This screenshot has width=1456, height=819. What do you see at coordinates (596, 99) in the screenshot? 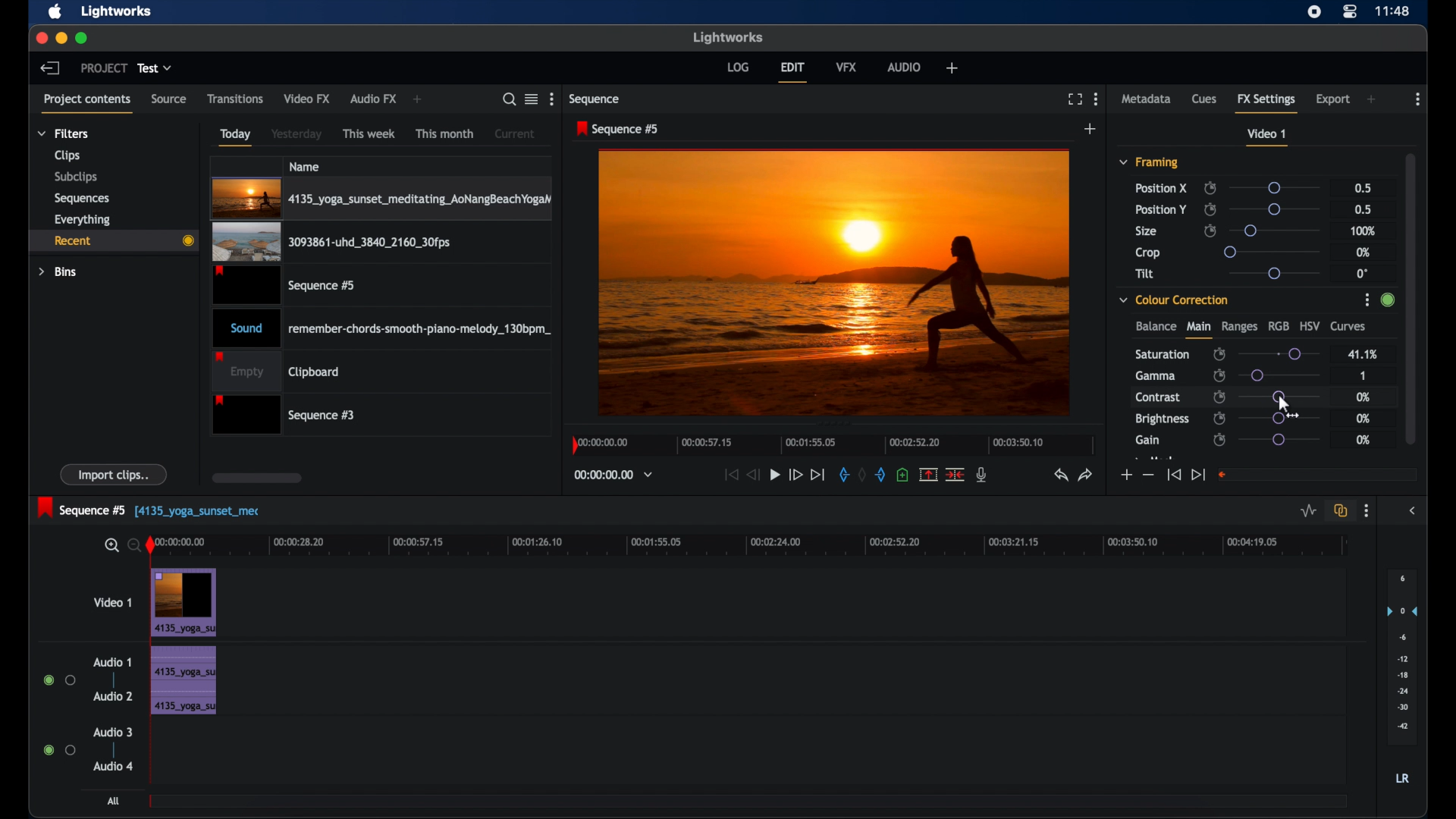
I see `sequence` at bounding box center [596, 99].